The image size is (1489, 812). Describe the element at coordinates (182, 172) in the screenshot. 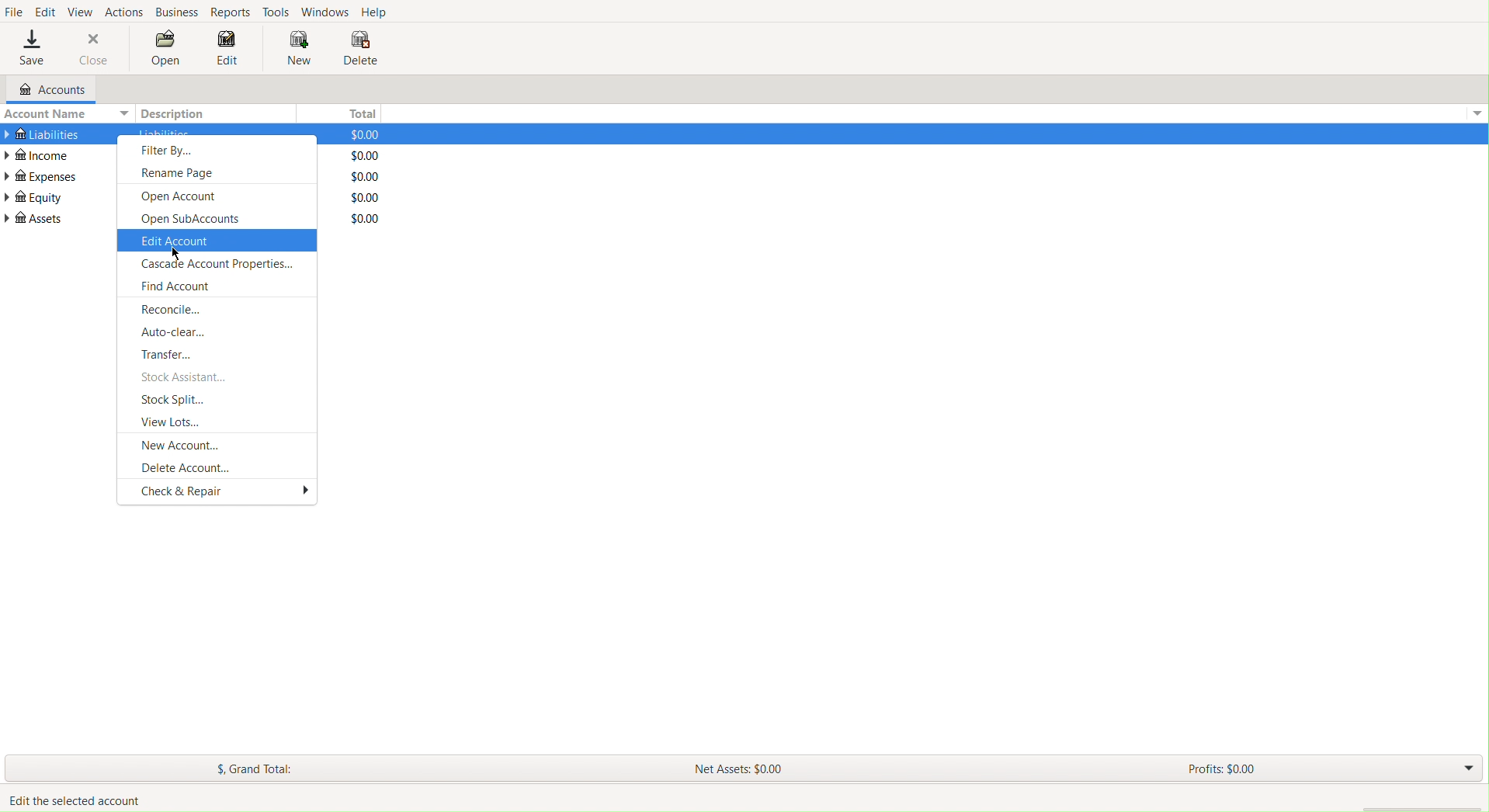

I see `Rename Page` at that location.